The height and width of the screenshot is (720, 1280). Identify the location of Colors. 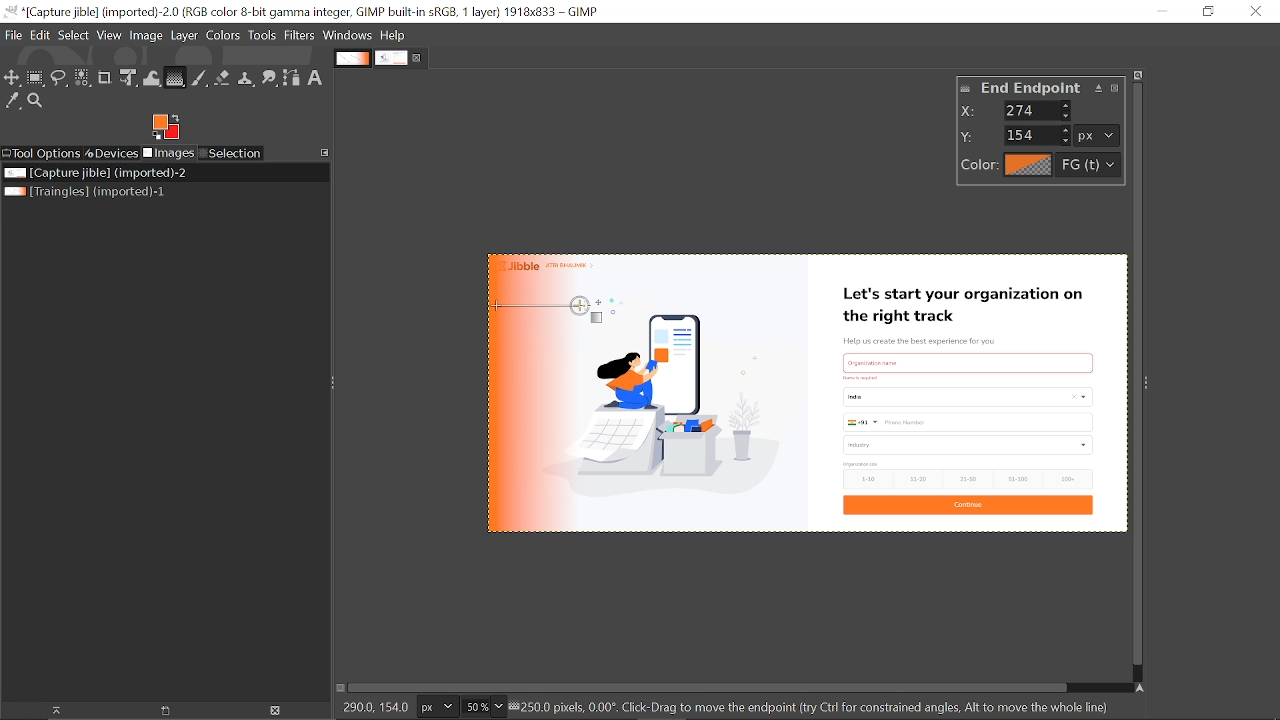
(225, 36).